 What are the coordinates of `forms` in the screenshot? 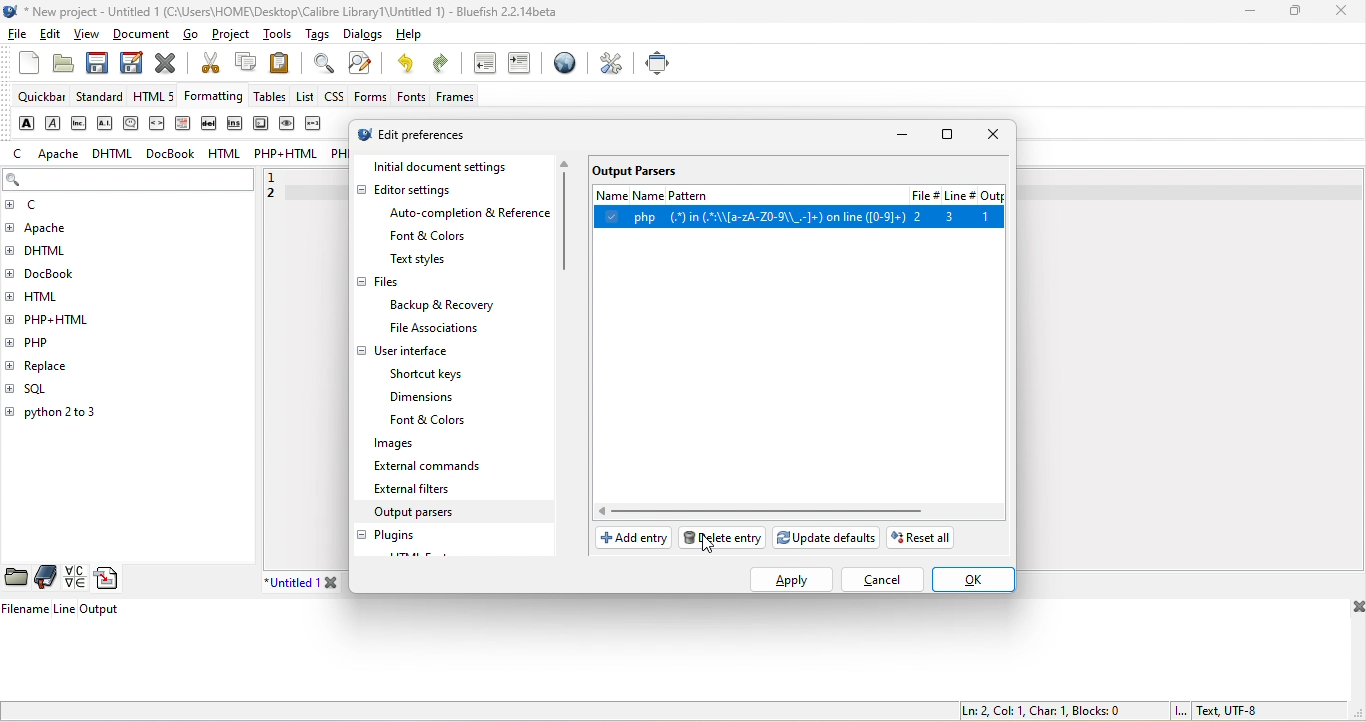 It's located at (370, 96).